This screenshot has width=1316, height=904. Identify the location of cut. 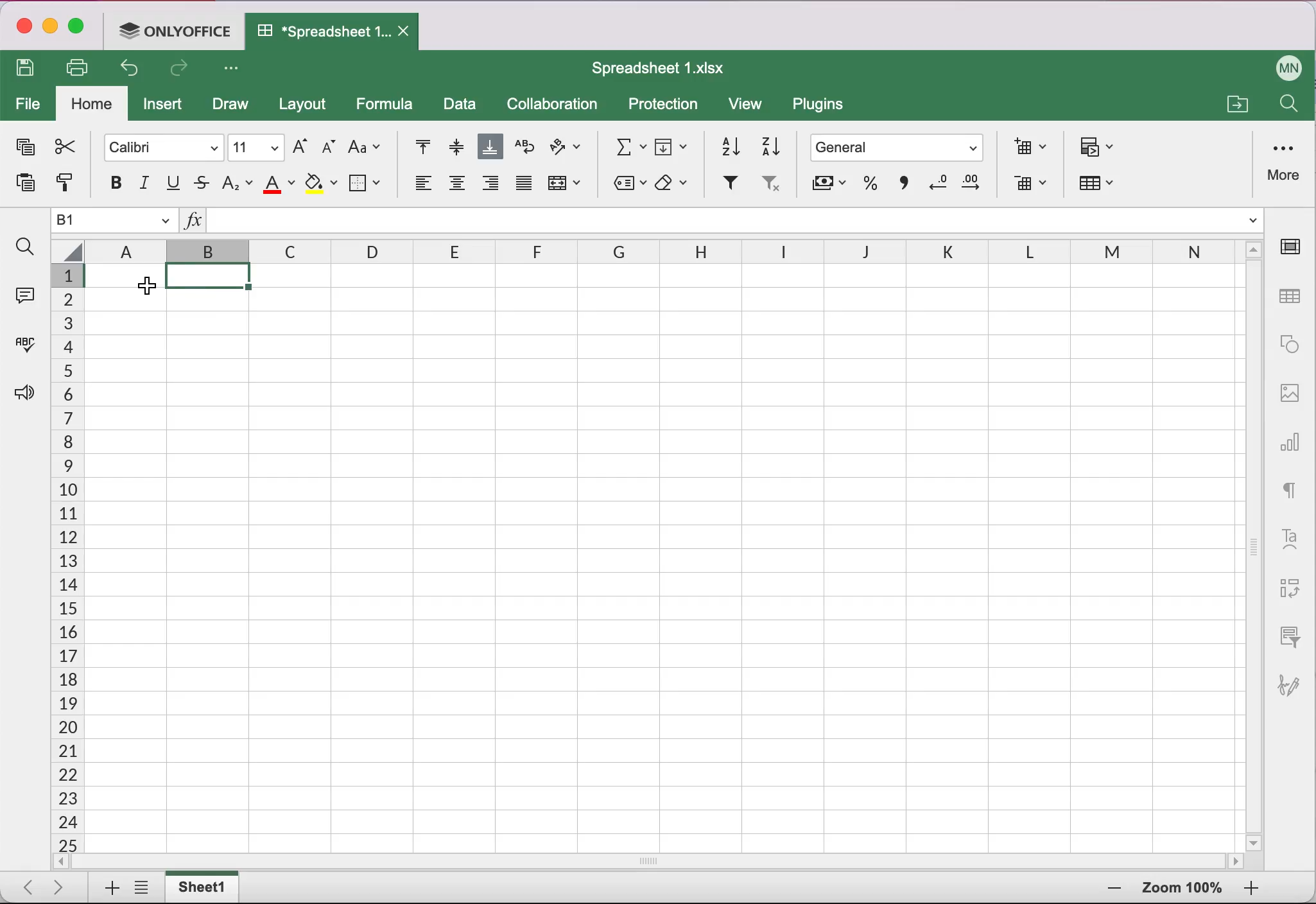
(64, 146).